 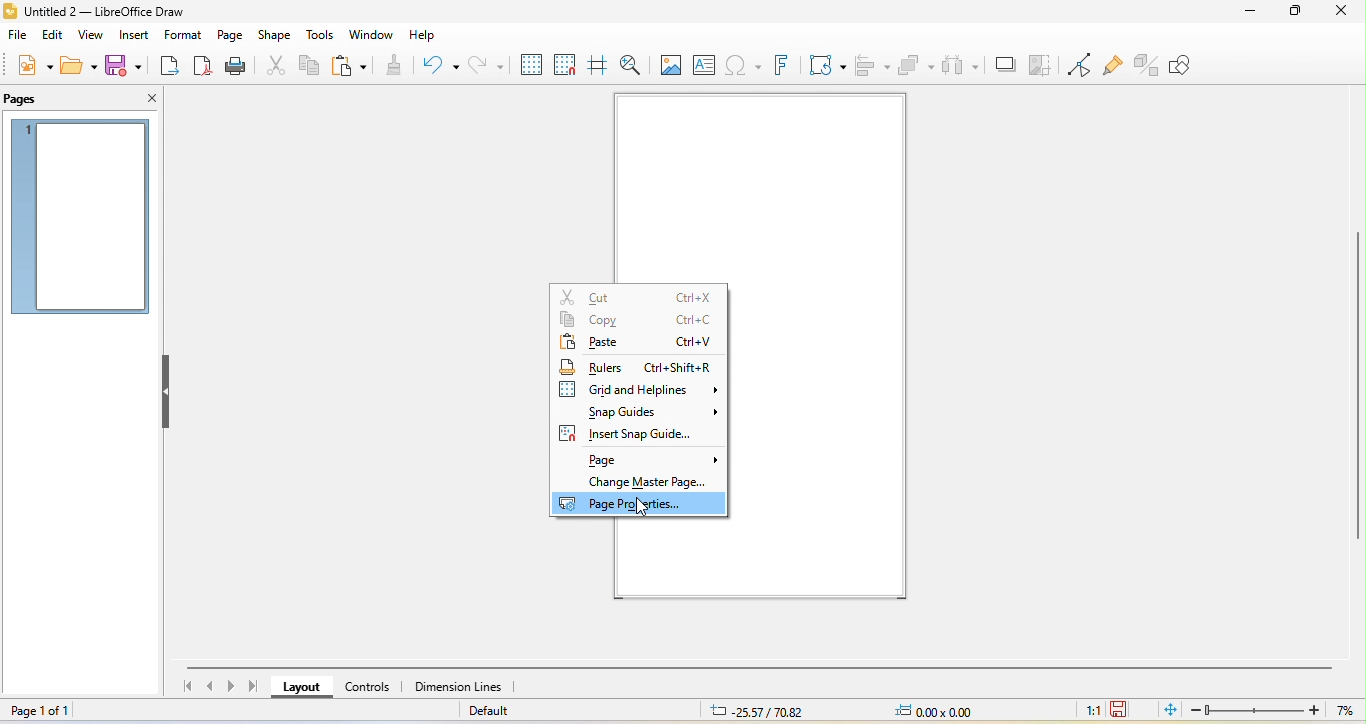 What do you see at coordinates (89, 37) in the screenshot?
I see `view` at bounding box center [89, 37].